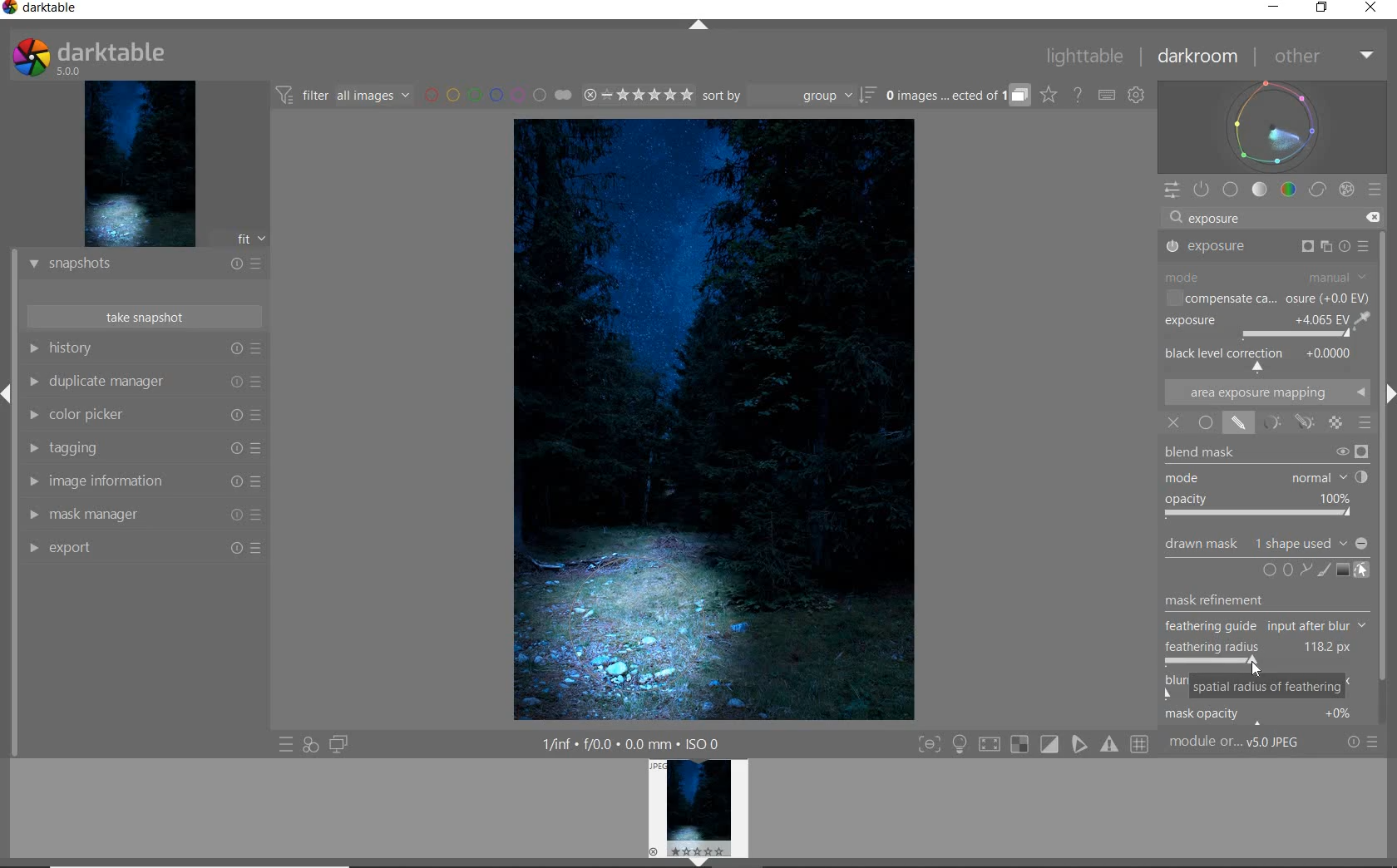 Image resolution: width=1397 pixels, height=868 pixels. I want to click on 1/inf*f/0.0 mm*ISO 0, so click(627, 742).